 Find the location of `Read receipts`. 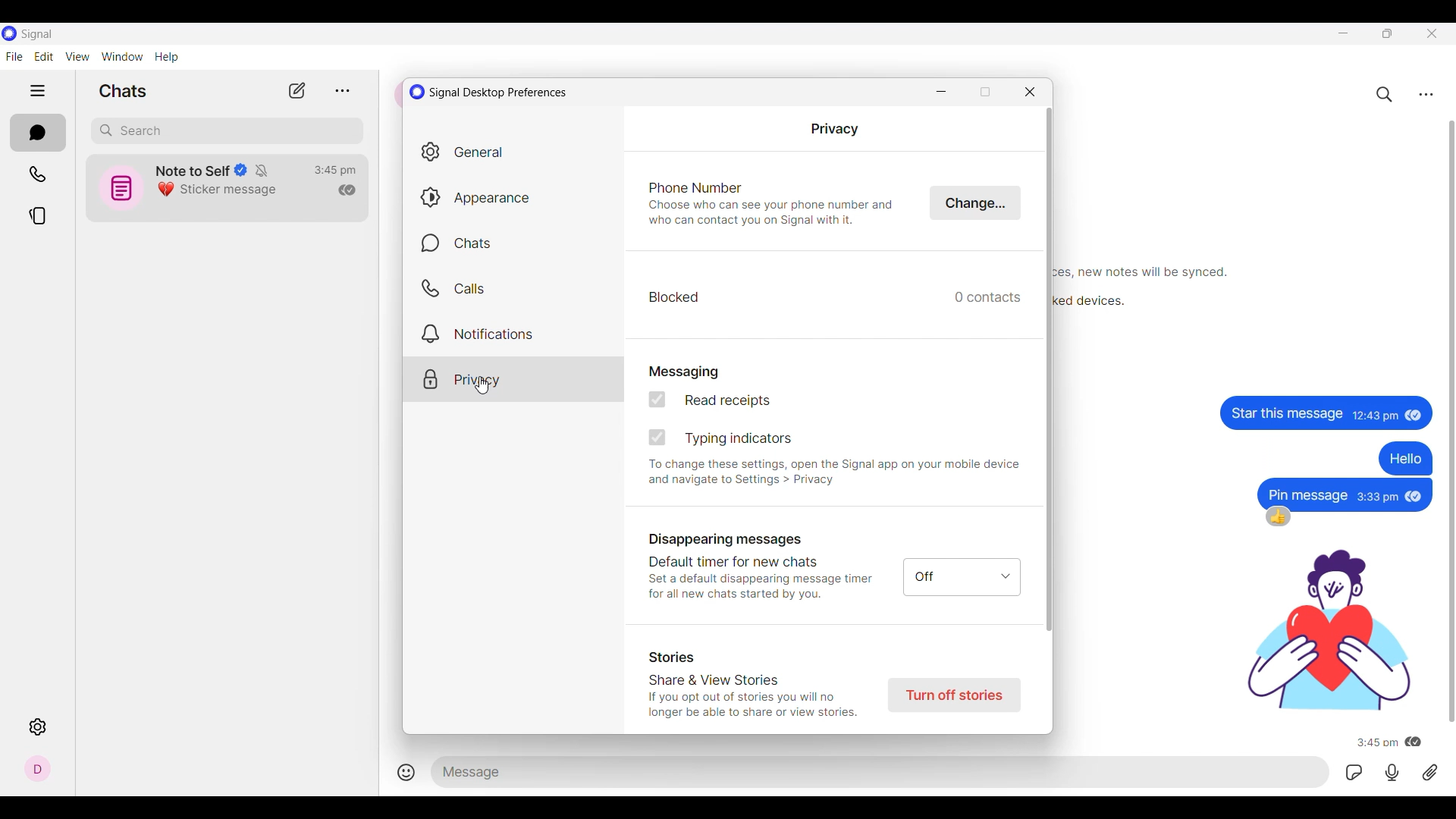

Read receipts is located at coordinates (714, 400).